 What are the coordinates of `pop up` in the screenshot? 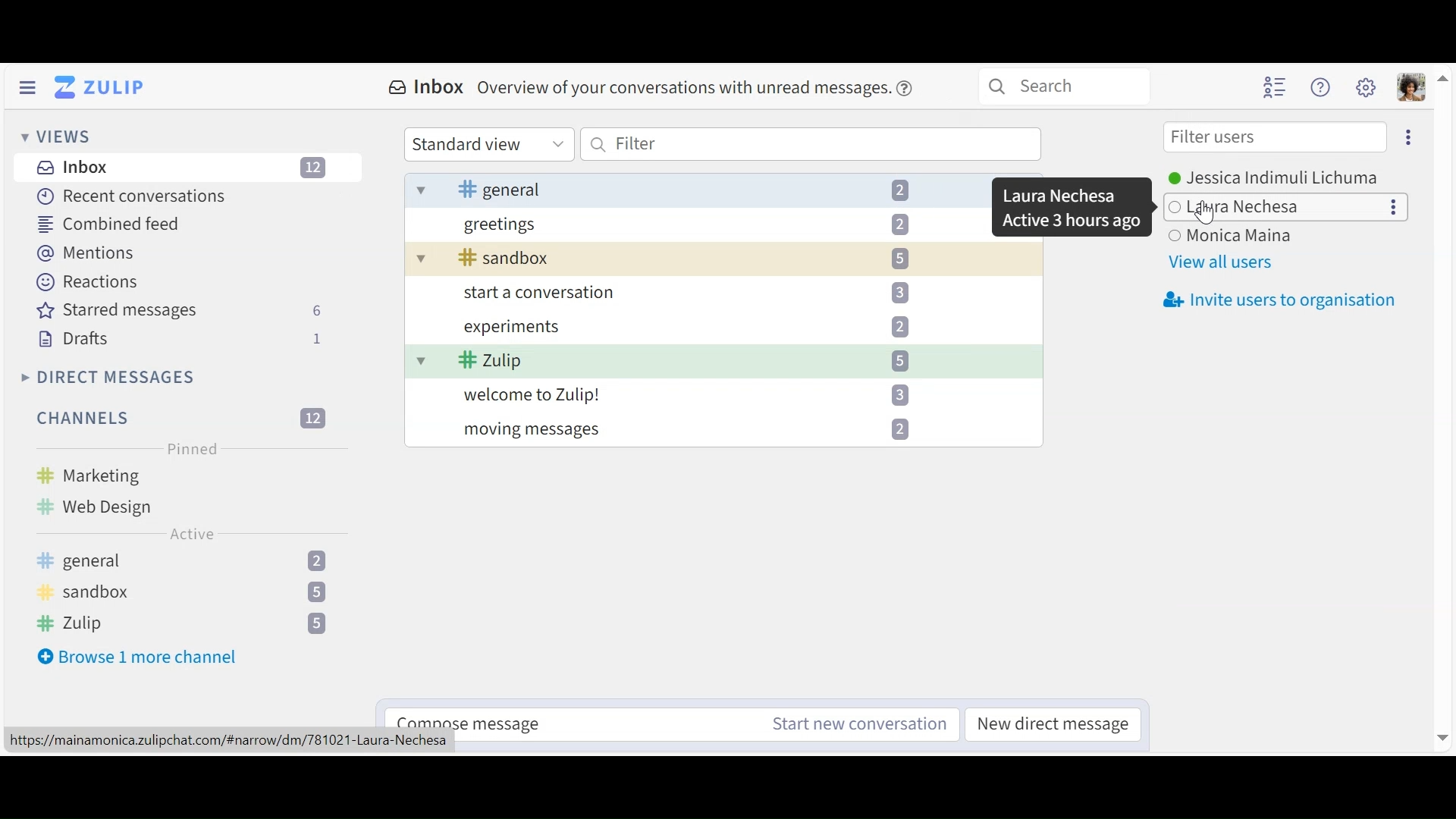 It's located at (1071, 208).